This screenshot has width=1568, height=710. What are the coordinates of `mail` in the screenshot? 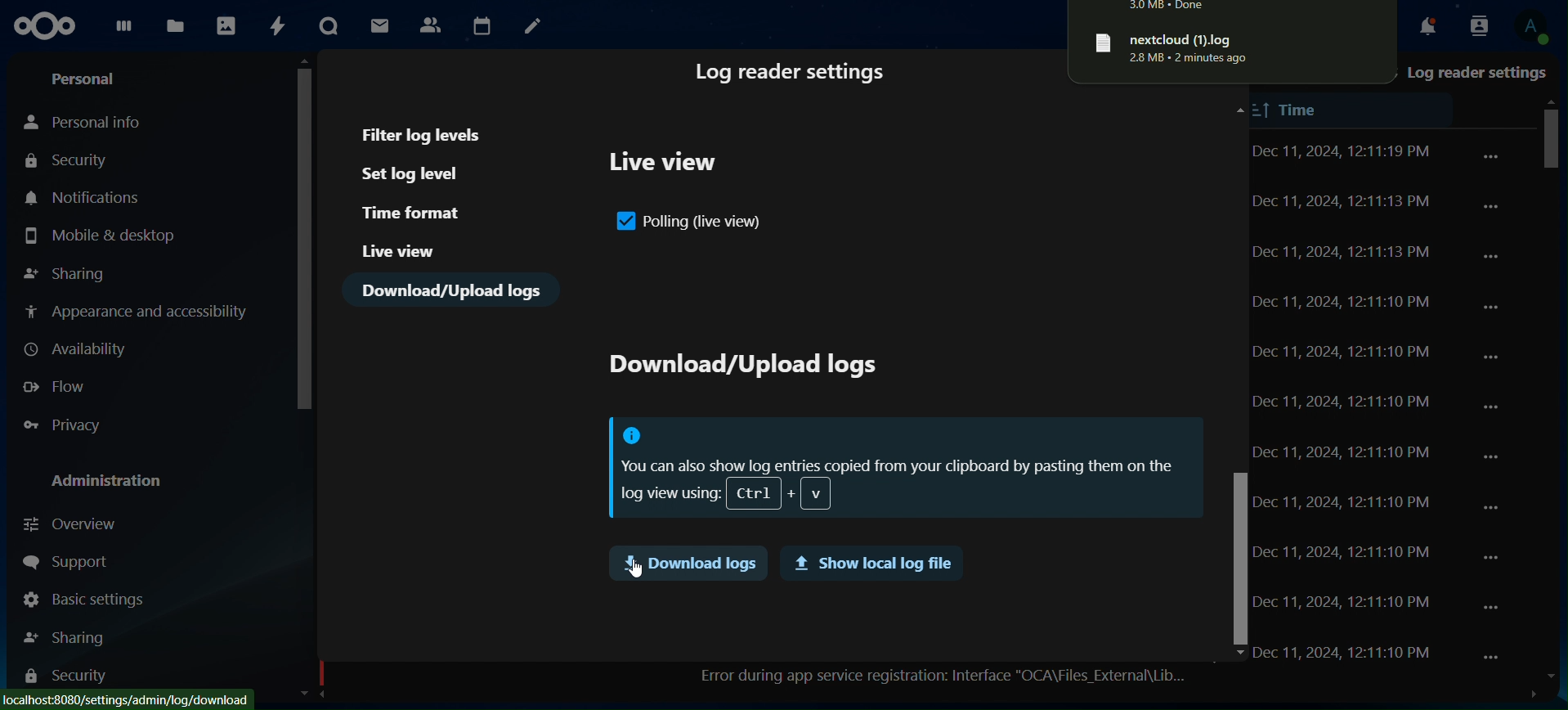 It's located at (379, 26).